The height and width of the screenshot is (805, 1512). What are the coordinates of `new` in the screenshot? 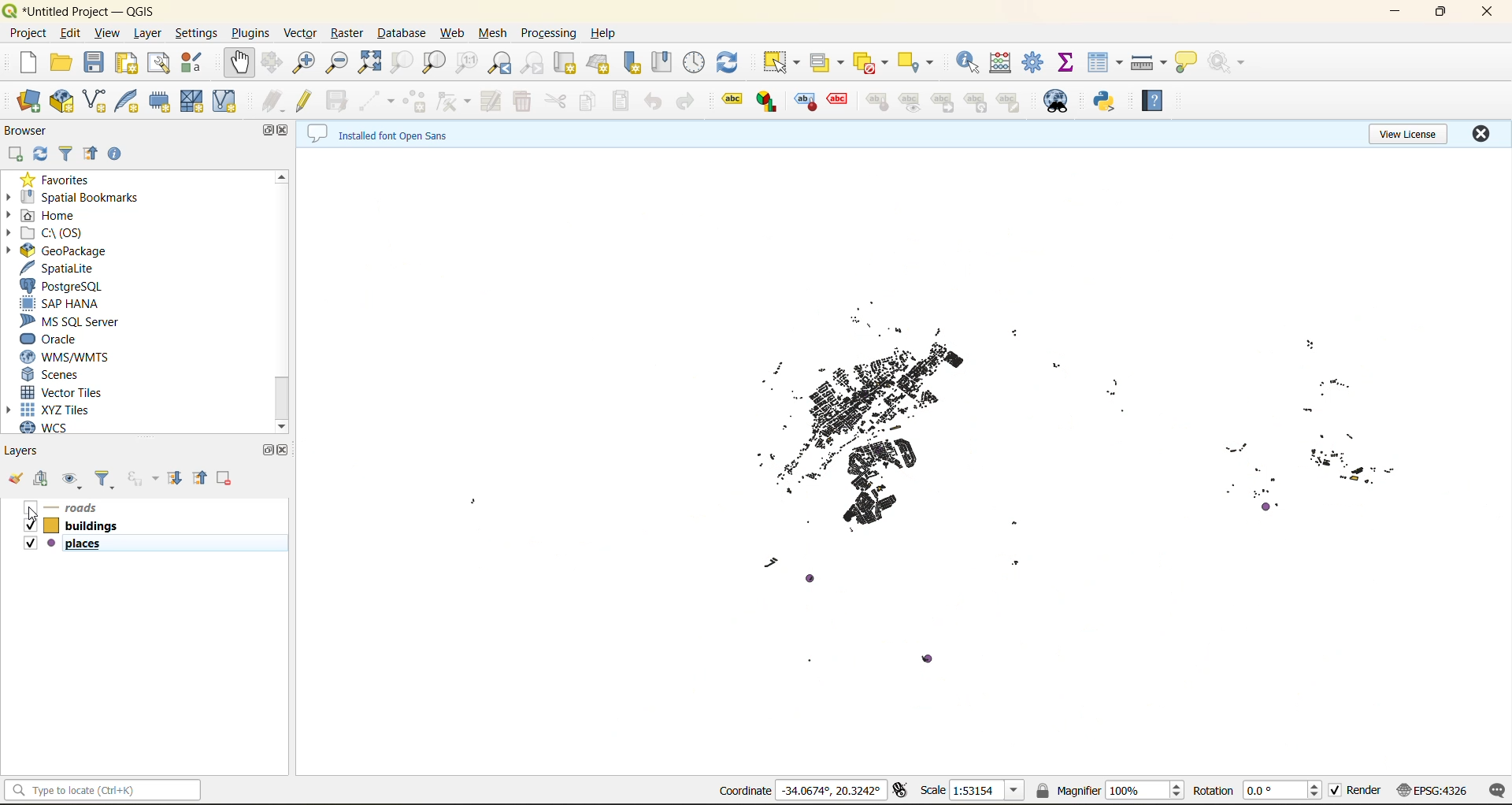 It's located at (26, 63).